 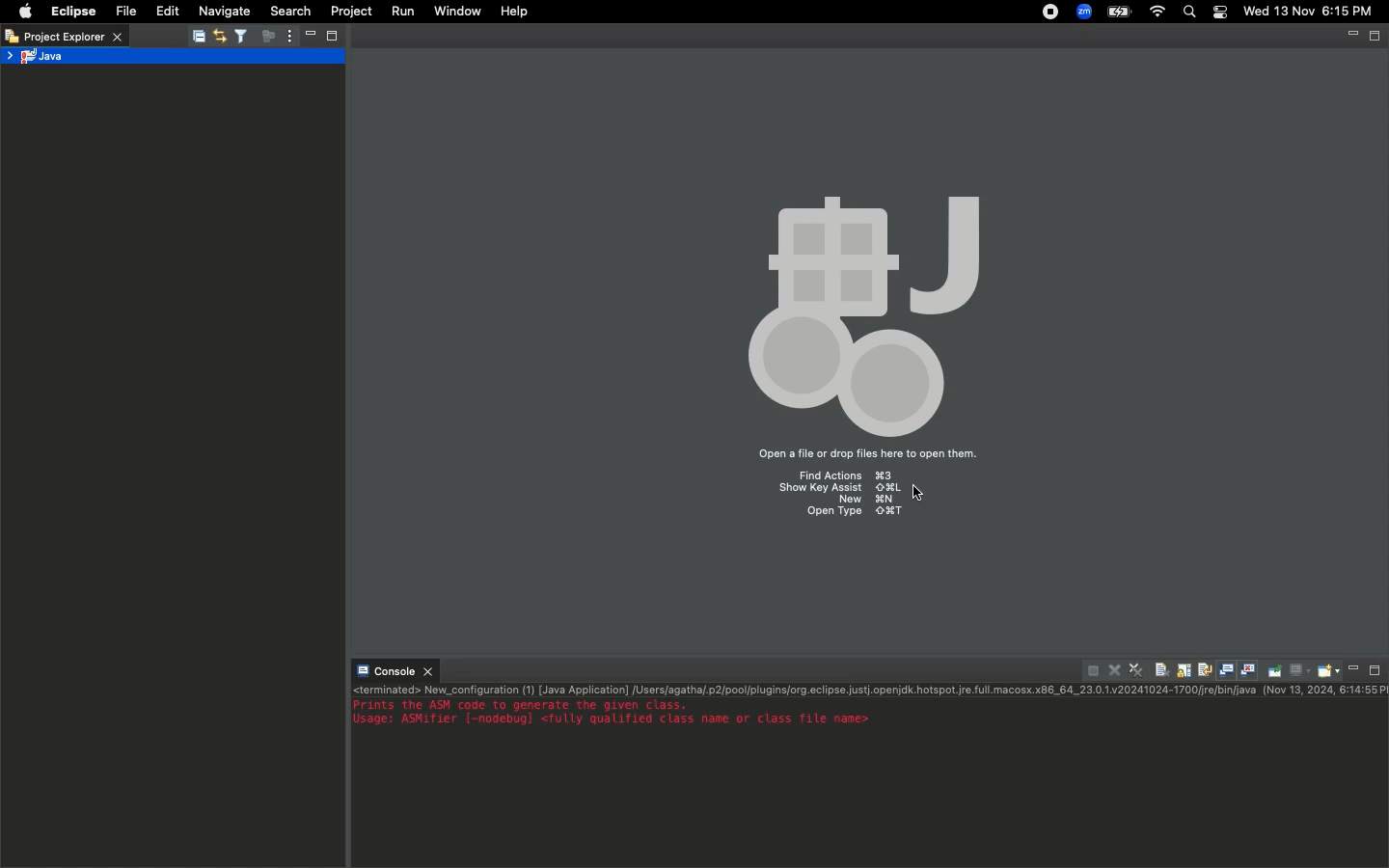 I want to click on Search, so click(x=1188, y=14).